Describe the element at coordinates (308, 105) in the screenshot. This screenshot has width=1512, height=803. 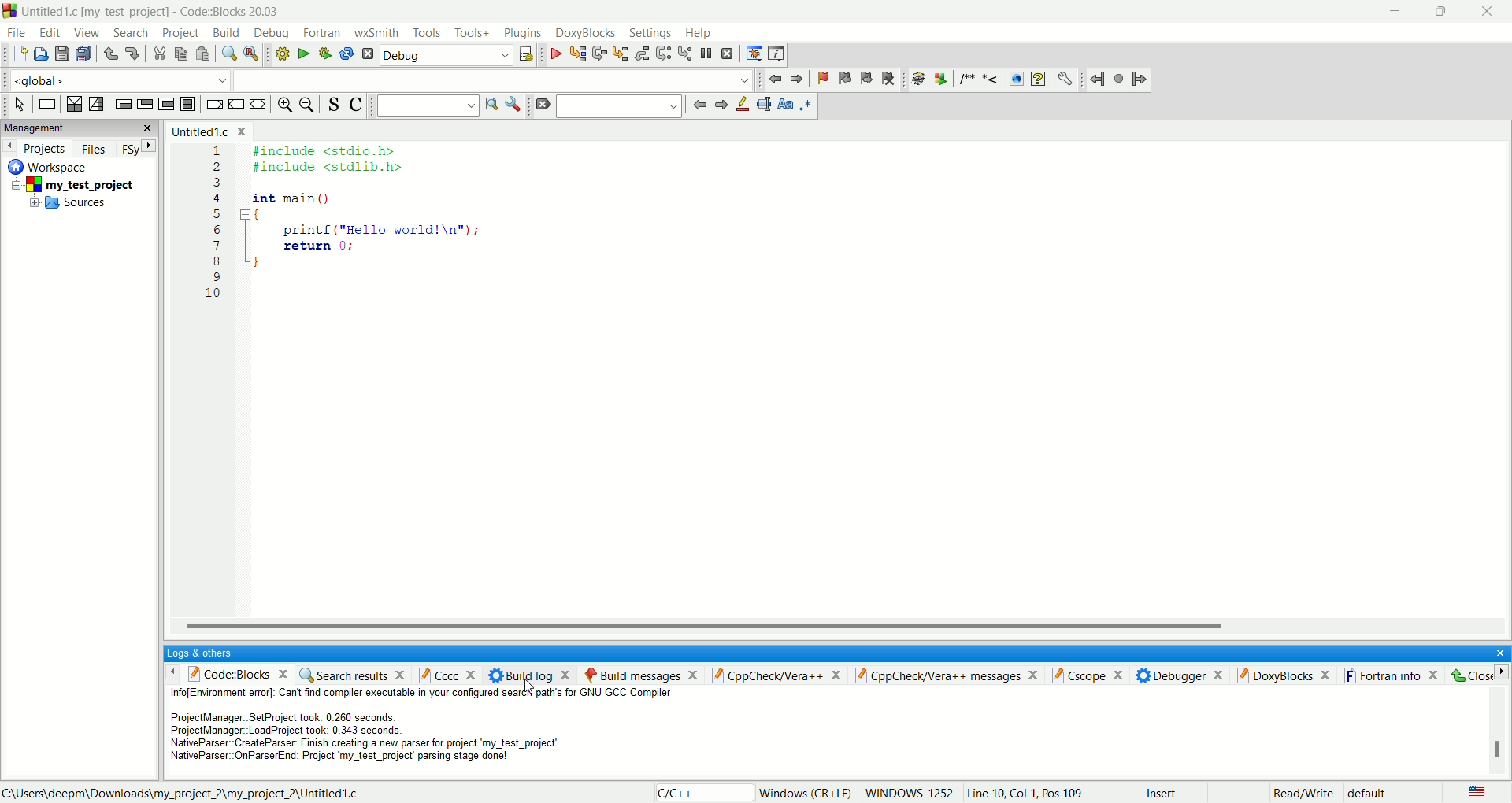
I see `zoom out` at that location.